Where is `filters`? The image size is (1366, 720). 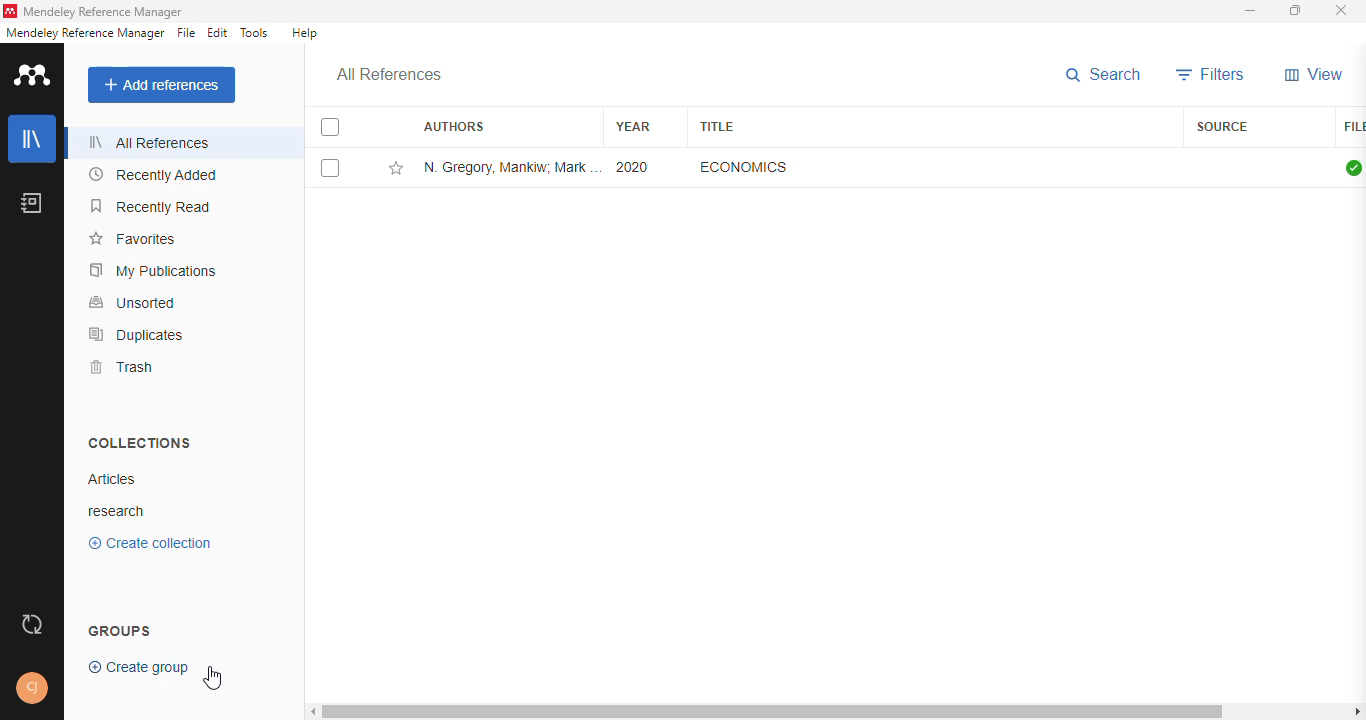 filters is located at coordinates (1211, 75).